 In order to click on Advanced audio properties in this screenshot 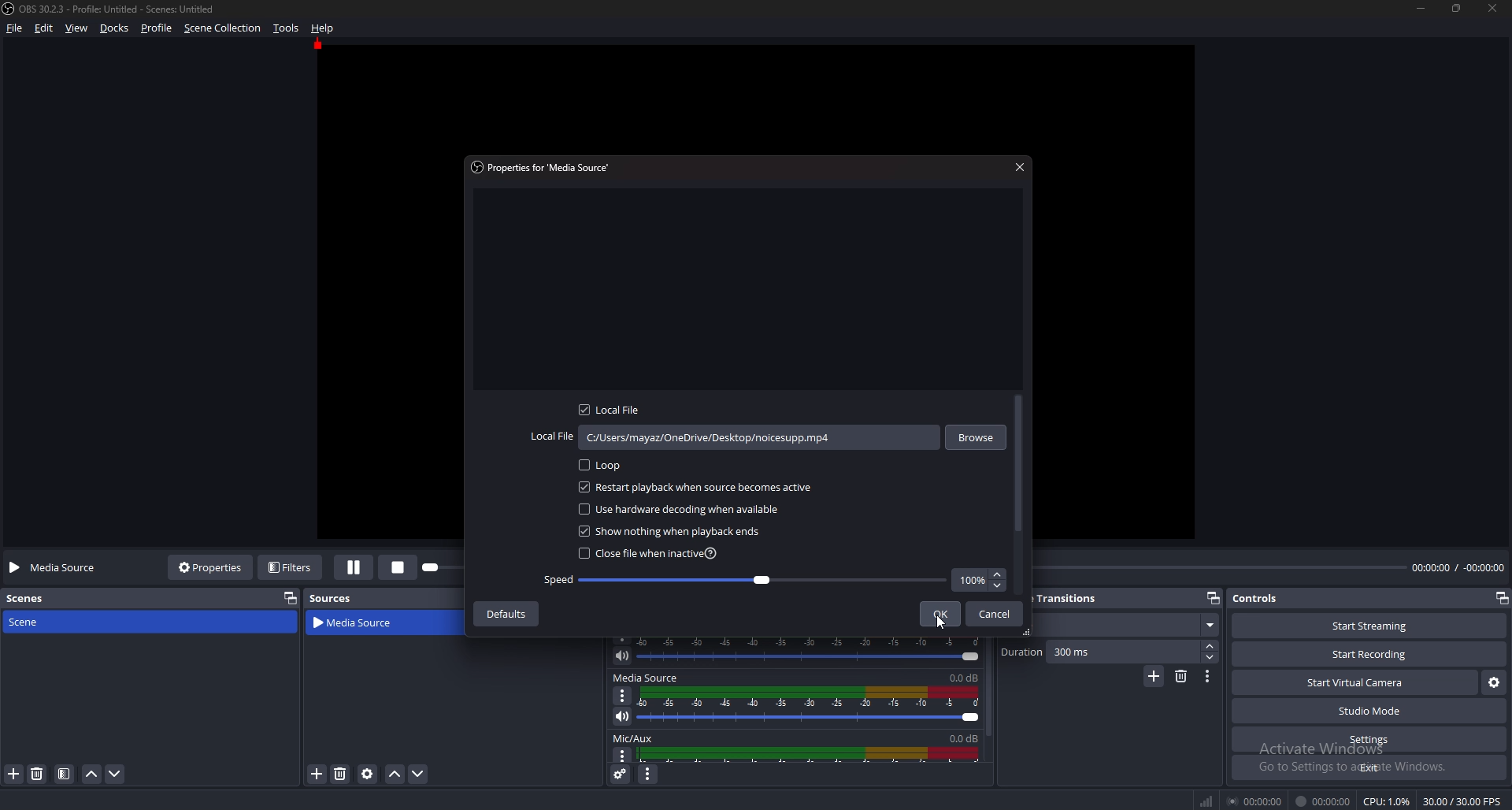, I will do `click(622, 774)`.